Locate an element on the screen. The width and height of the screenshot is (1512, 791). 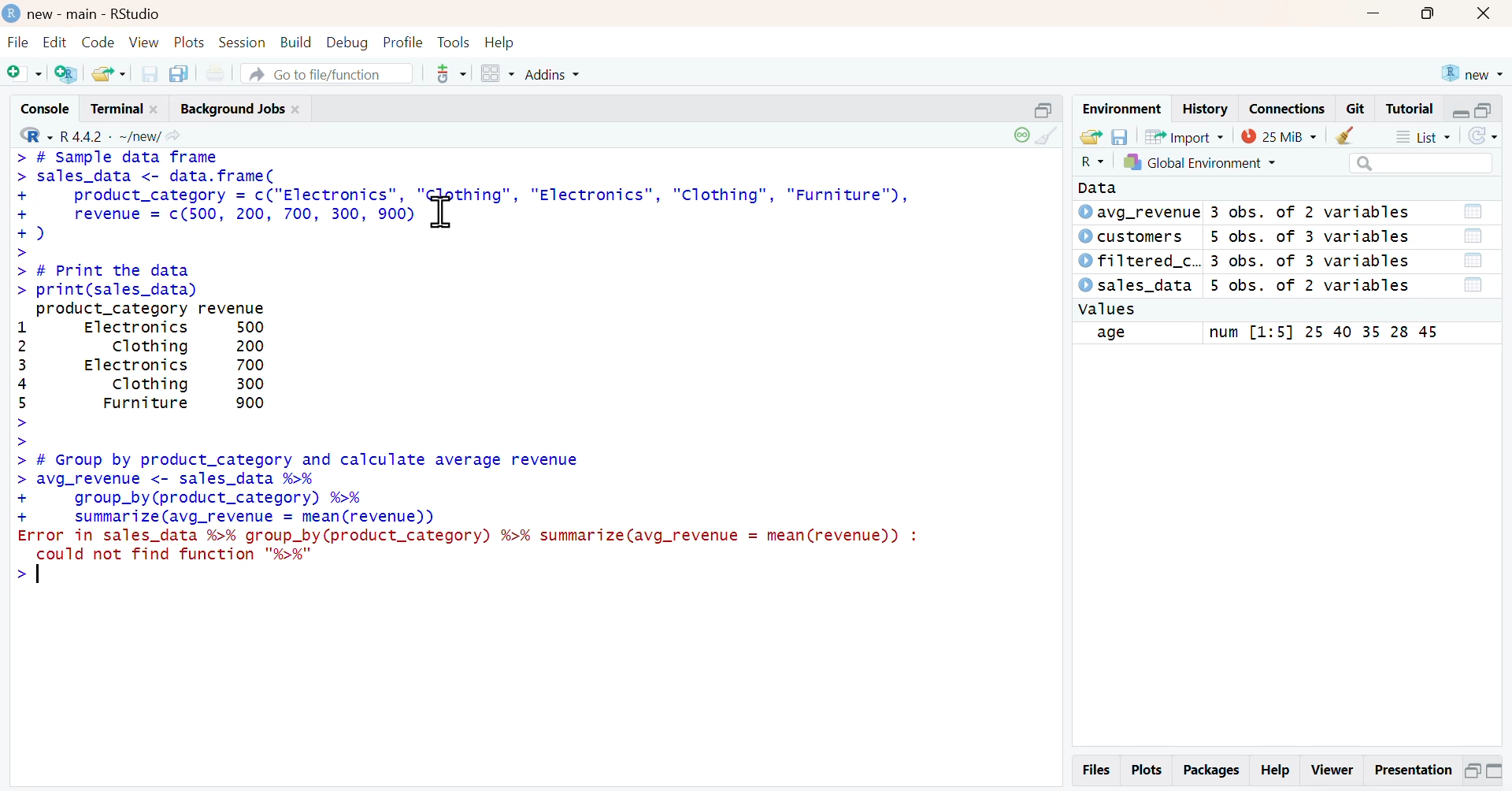
Tutorial is located at coordinates (1408, 109).